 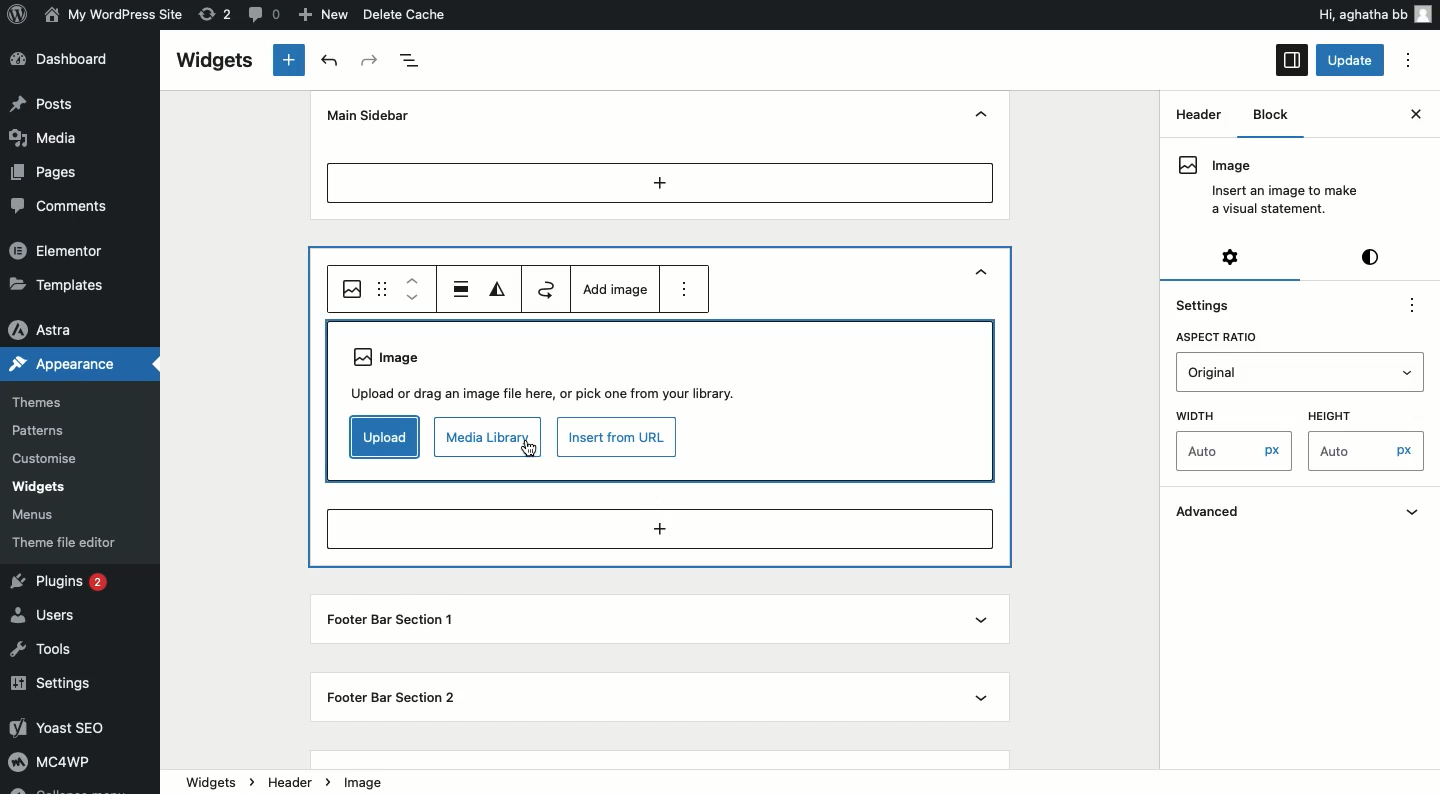 What do you see at coordinates (1328, 415) in the screenshot?
I see `Height` at bounding box center [1328, 415].